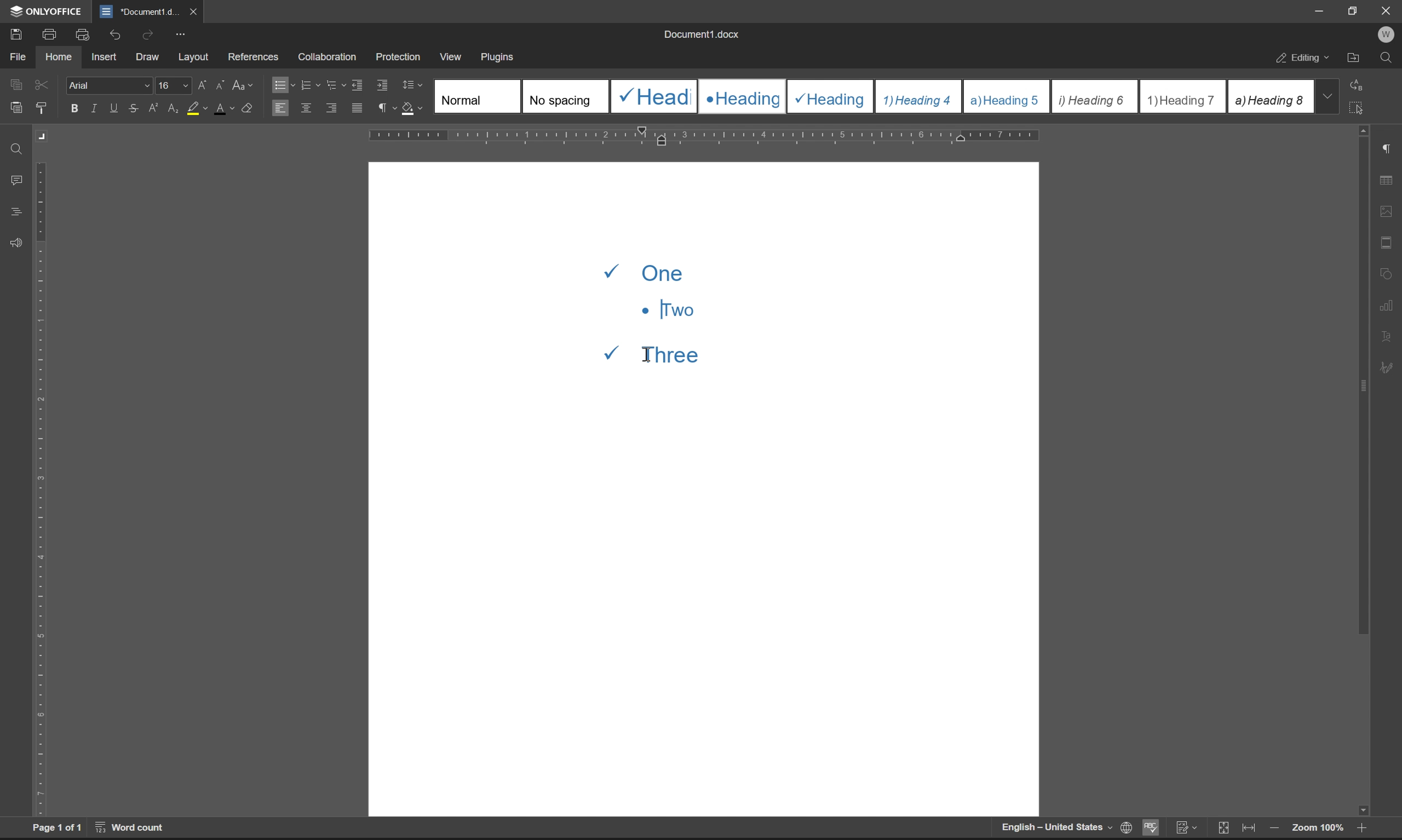 Image resolution: width=1402 pixels, height=840 pixels. I want to click on paragraph settings, so click(1386, 149).